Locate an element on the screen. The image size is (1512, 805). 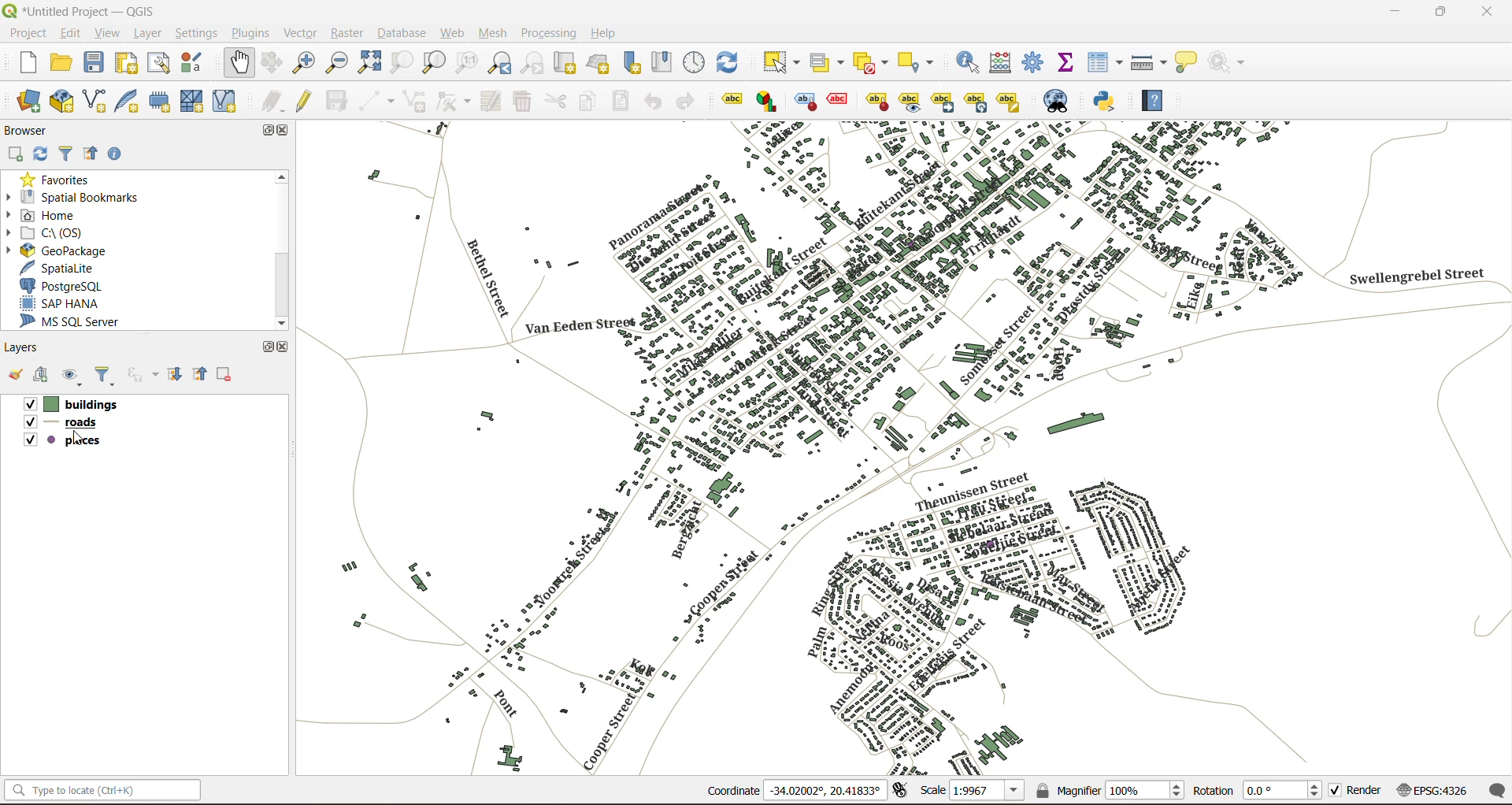
edit is located at coordinates (72, 35).